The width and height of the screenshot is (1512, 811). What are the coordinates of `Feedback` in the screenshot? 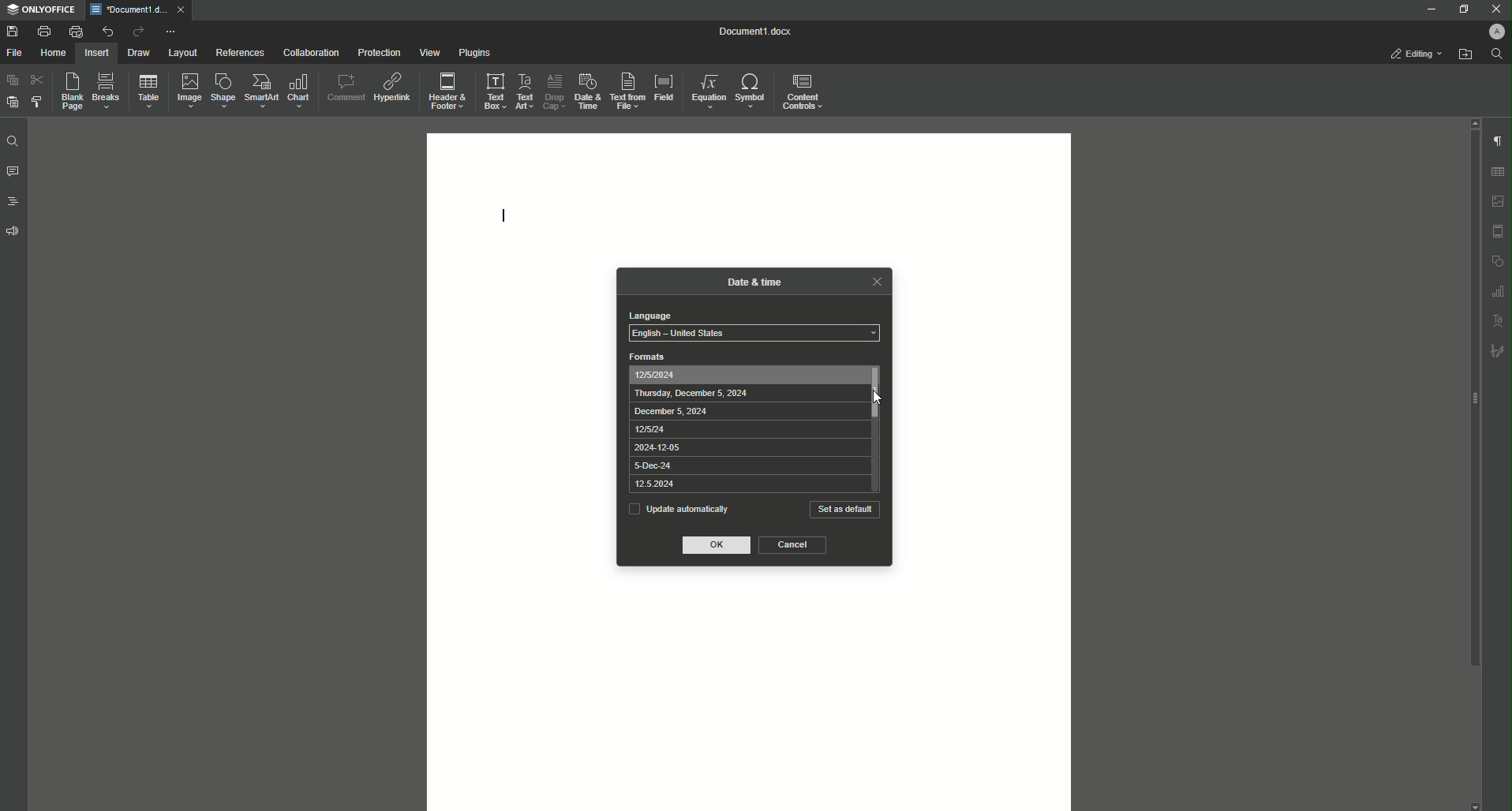 It's located at (14, 231).